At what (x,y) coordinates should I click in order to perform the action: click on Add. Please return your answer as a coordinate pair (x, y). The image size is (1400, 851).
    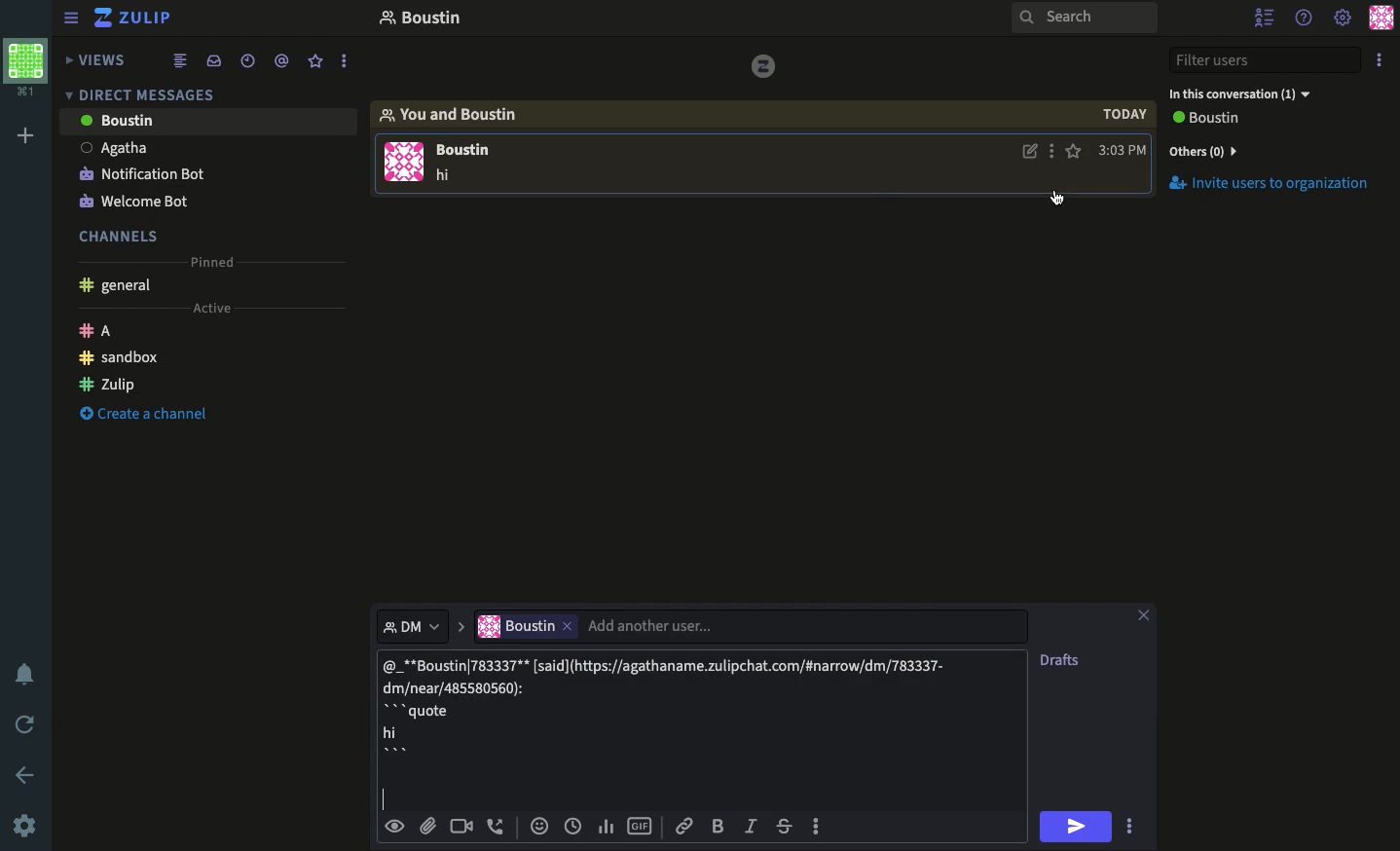
    Looking at the image, I should click on (21, 137).